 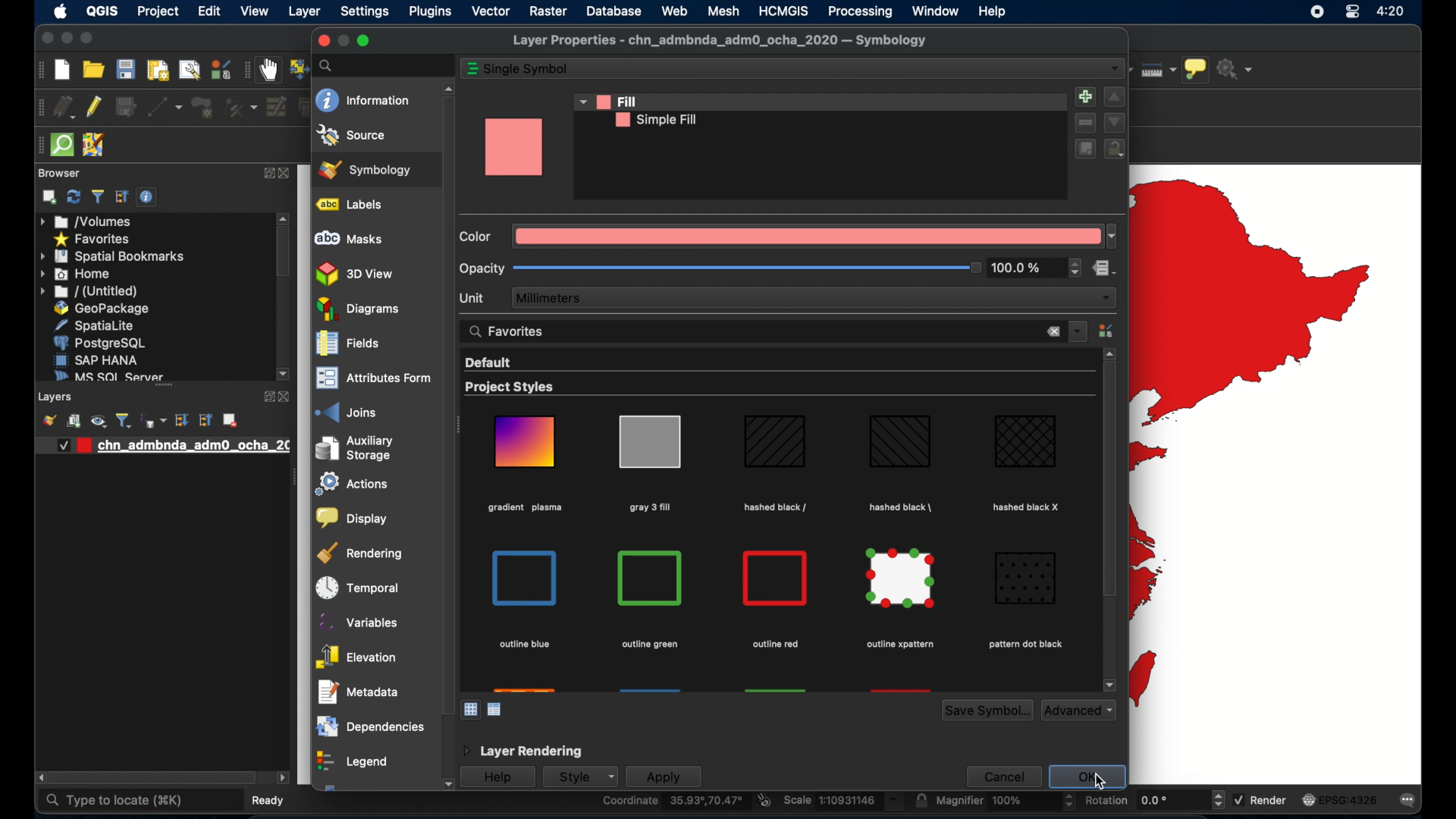 I want to click on edit, so click(x=210, y=11).